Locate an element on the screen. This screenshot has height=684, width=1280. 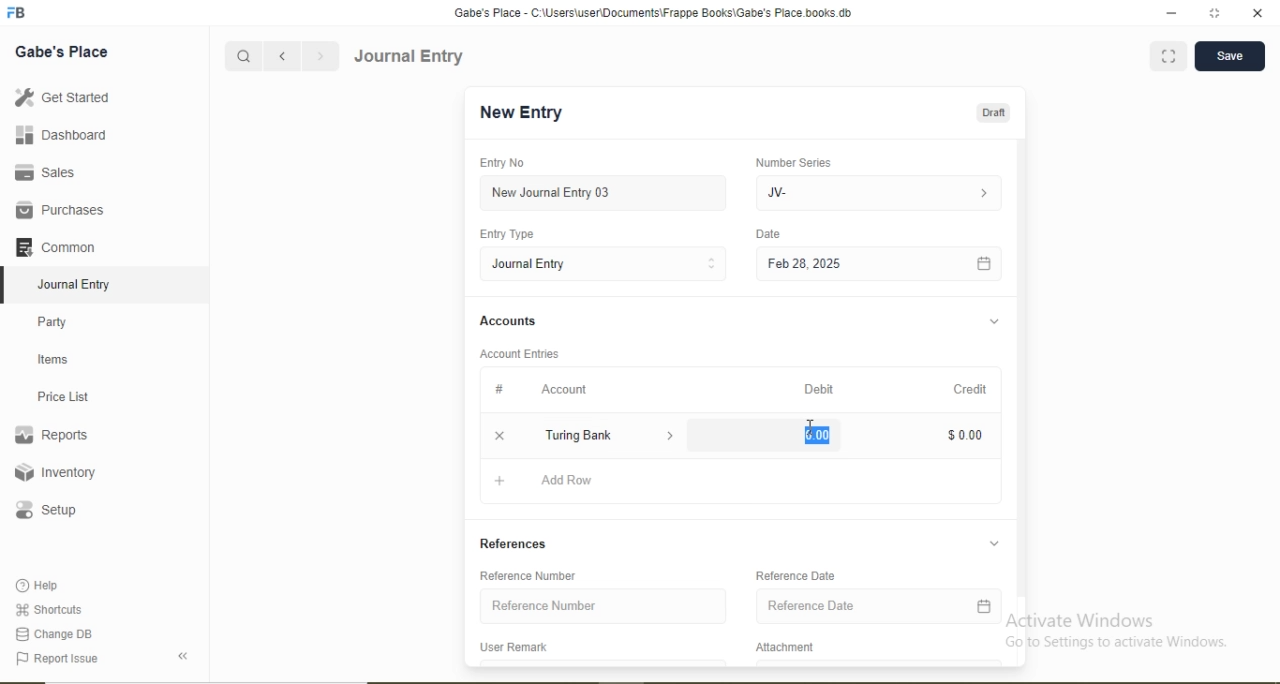
Debit is located at coordinates (819, 389).